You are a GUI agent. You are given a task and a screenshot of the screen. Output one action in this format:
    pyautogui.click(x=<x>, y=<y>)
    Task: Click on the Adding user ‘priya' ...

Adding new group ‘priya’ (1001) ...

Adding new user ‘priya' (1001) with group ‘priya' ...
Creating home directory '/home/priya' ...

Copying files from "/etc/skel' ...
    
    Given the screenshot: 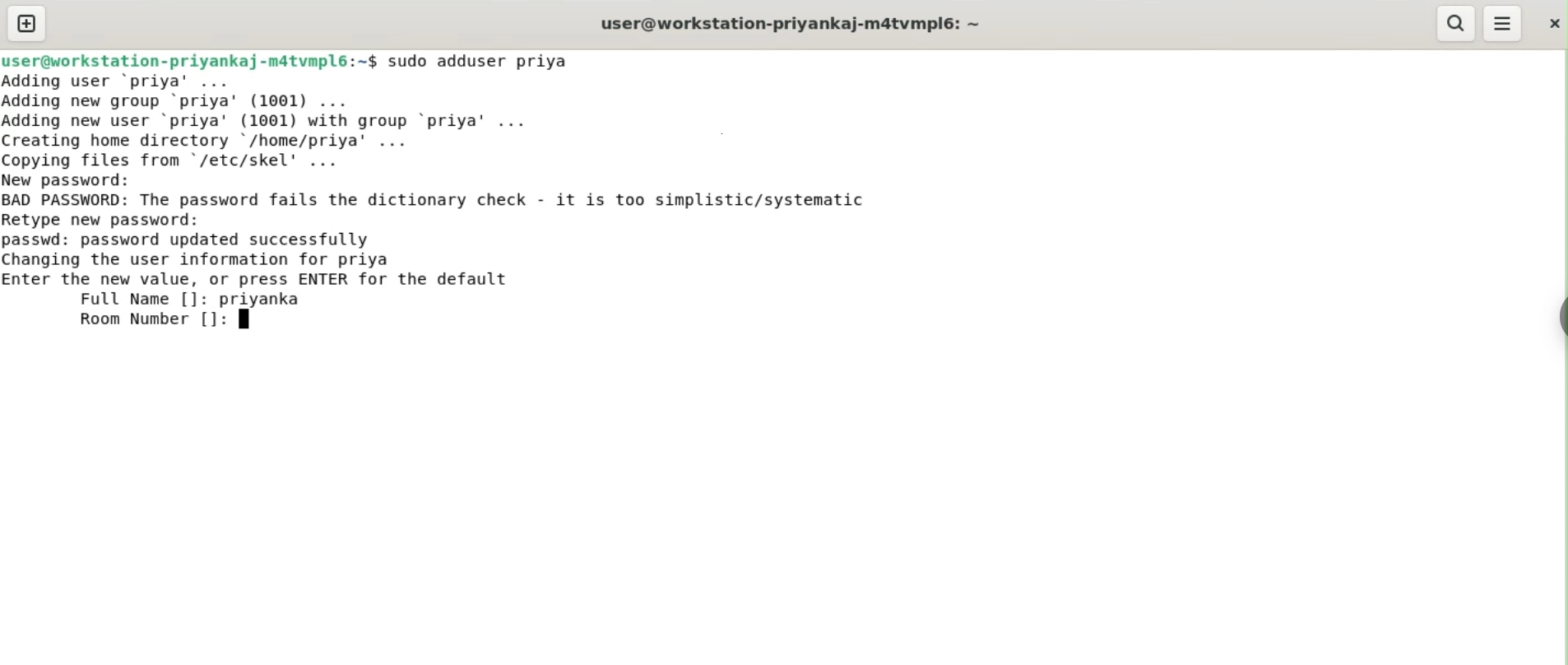 What is the action you would take?
    pyautogui.click(x=274, y=121)
    